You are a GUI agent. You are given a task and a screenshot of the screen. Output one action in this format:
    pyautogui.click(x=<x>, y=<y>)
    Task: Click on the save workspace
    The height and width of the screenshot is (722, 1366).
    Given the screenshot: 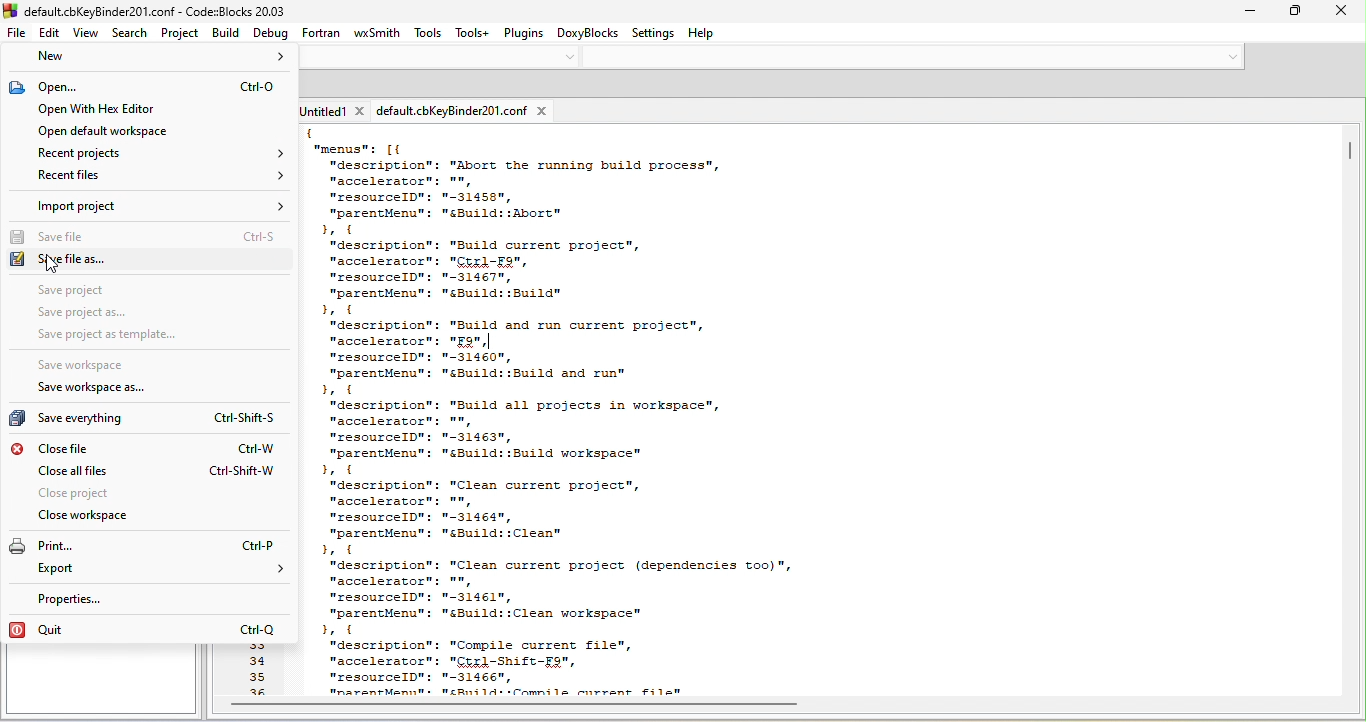 What is the action you would take?
    pyautogui.click(x=88, y=368)
    